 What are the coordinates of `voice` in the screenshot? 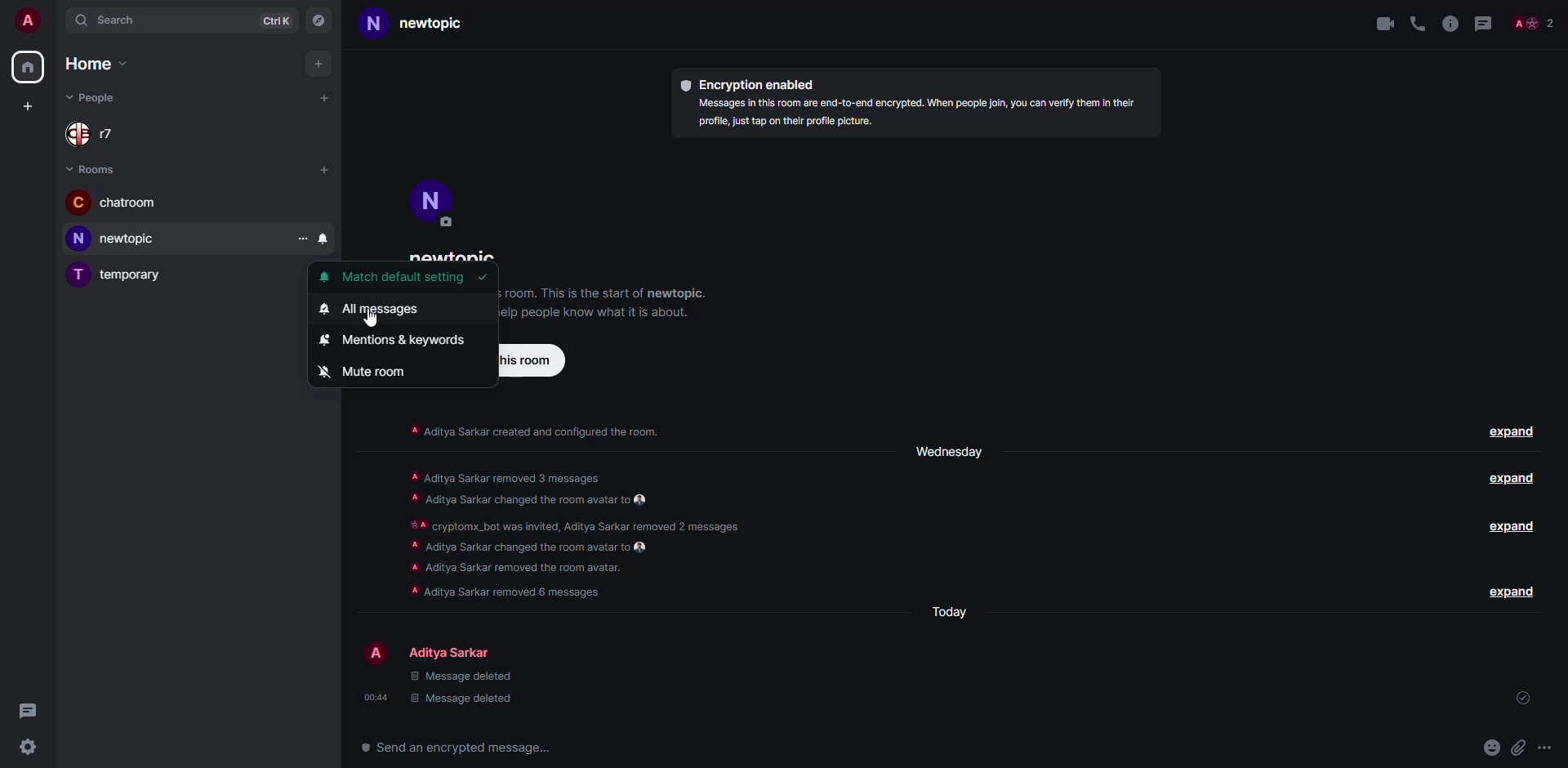 It's located at (1416, 23).